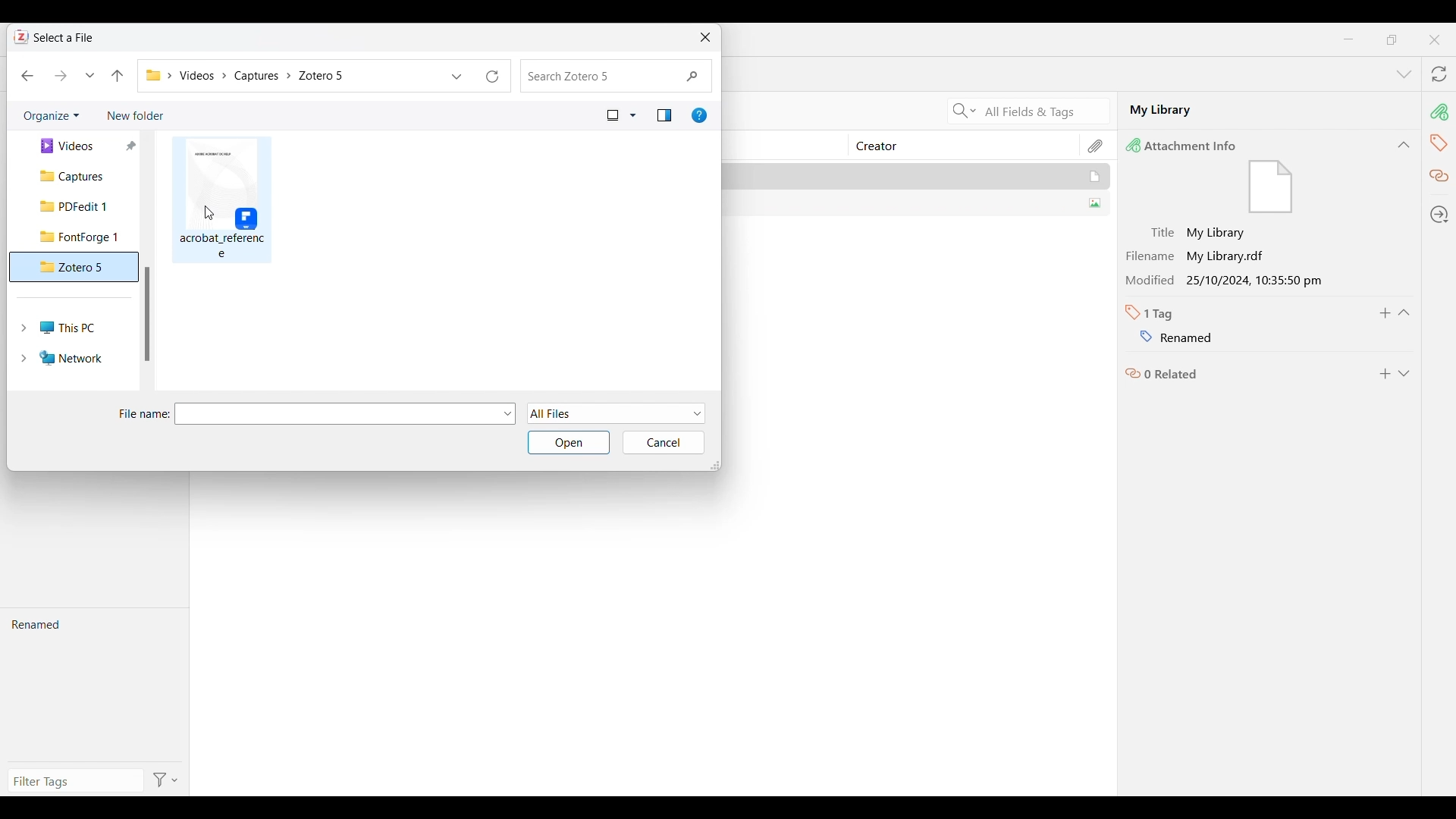  Describe the element at coordinates (82, 175) in the screenshot. I see `Captures folder` at that location.